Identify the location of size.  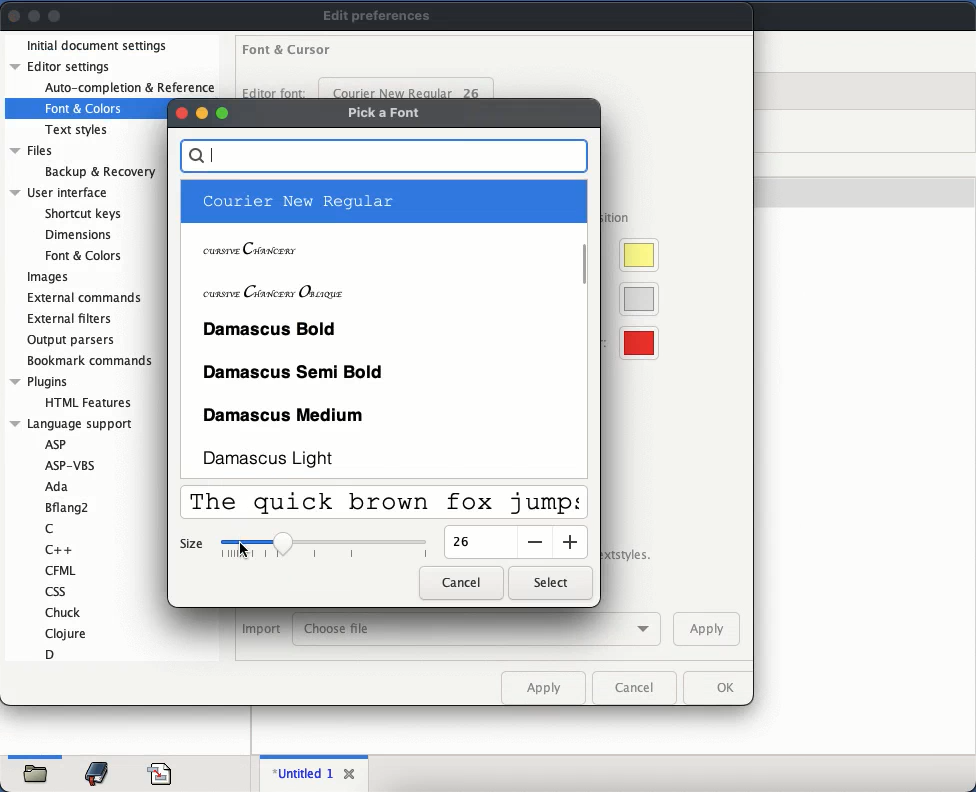
(468, 543).